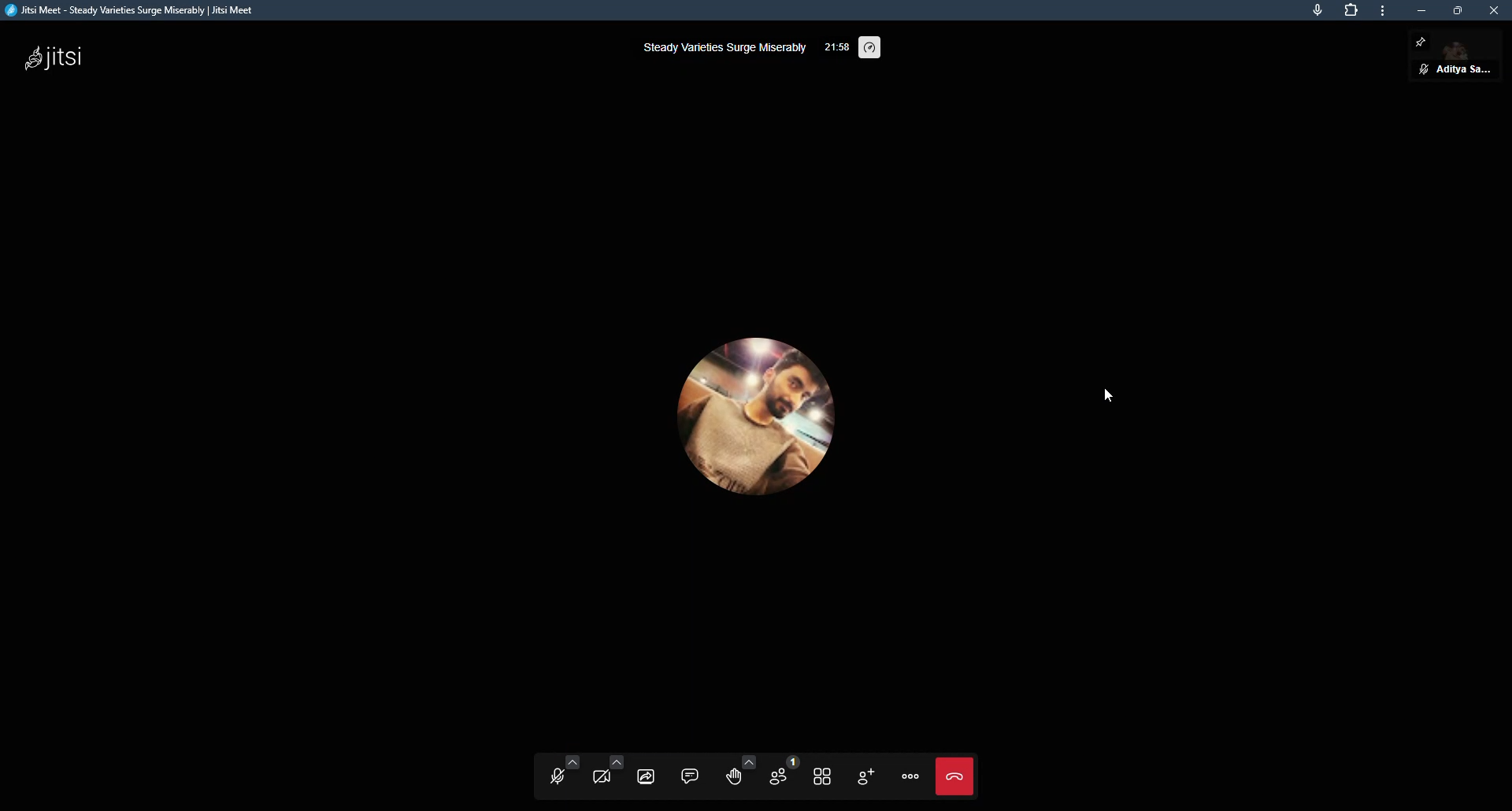 The width and height of the screenshot is (1512, 811). Describe the element at coordinates (823, 777) in the screenshot. I see `toggle to tile view` at that location.